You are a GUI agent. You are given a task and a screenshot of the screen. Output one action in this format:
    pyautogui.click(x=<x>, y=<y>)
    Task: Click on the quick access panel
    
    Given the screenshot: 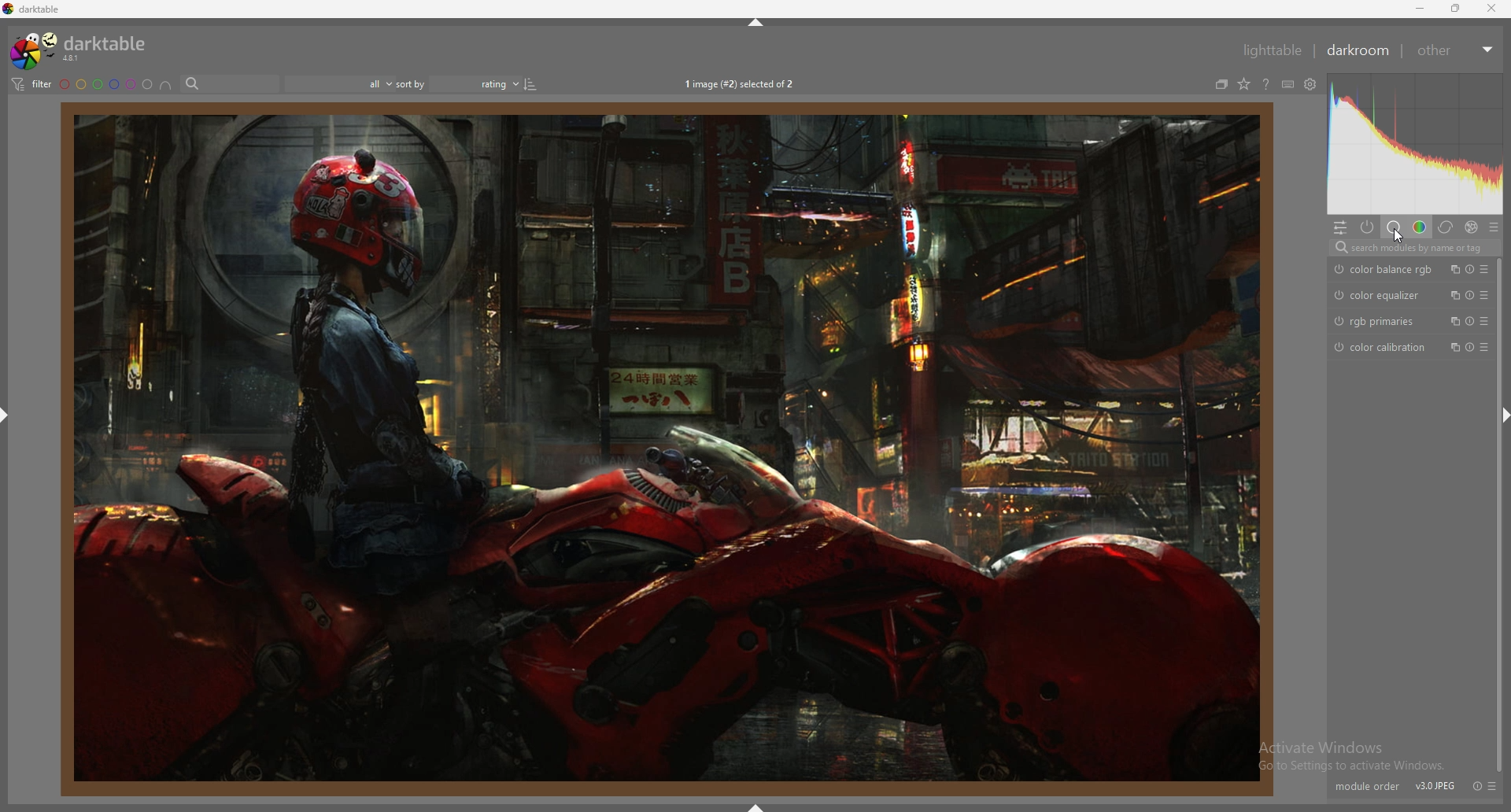 What is the action you would take?
    pyautogui.click(x=1340, y=227)
    